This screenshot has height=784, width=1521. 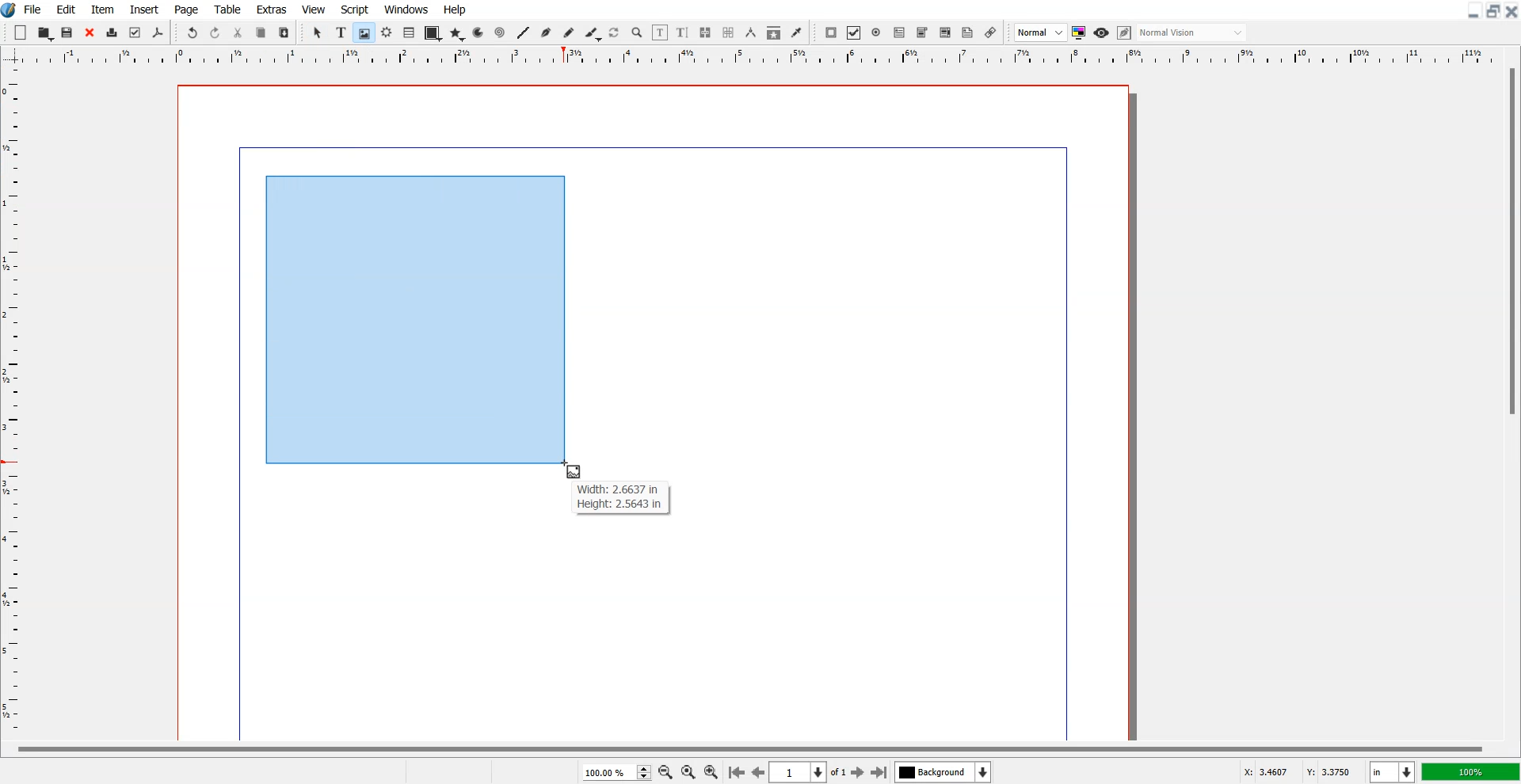 I want to click on Table, so click(x=409, y=33).